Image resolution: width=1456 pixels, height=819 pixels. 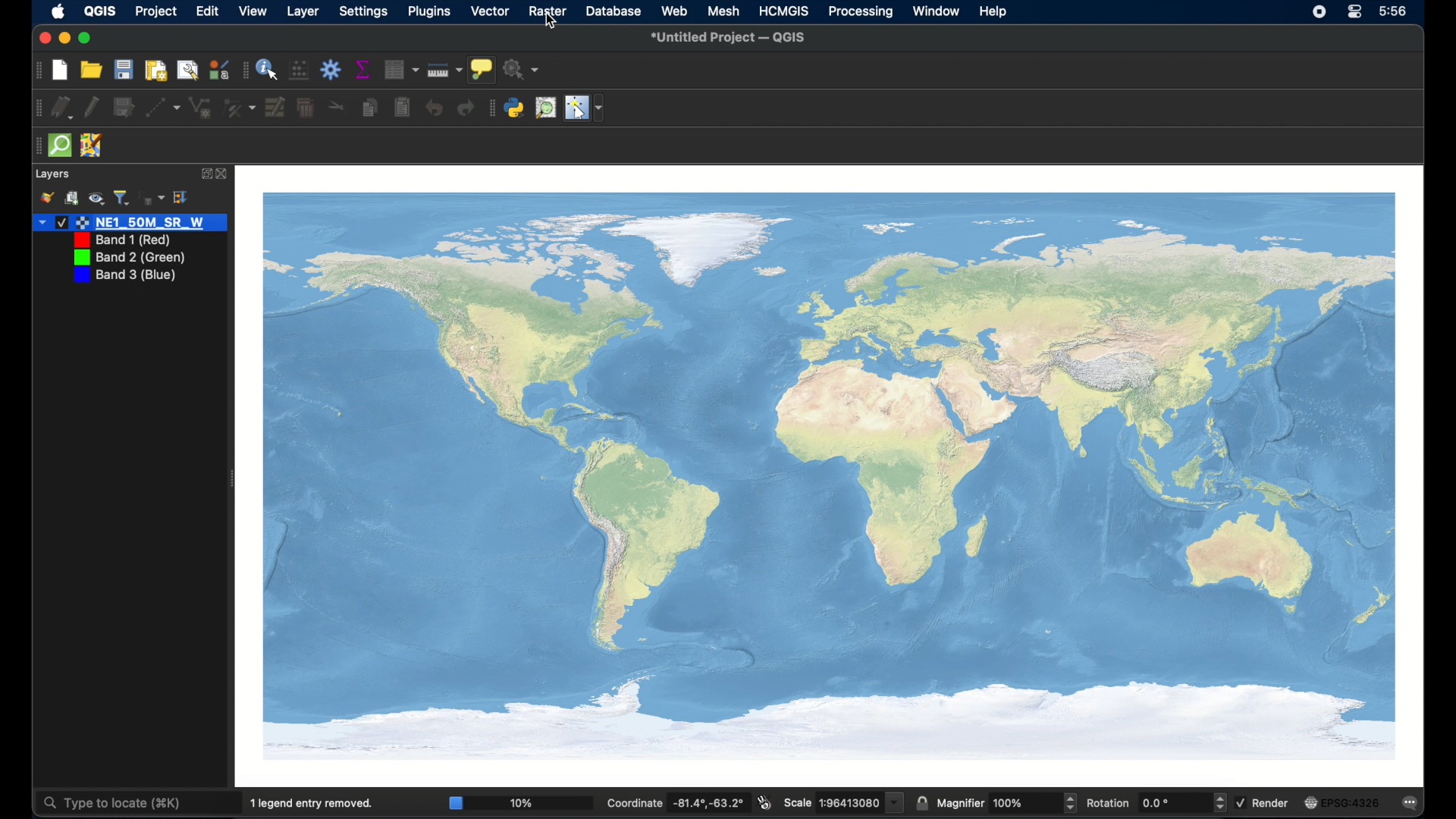 What do you see at coordinates (72, 197) in the screenshot?
I see `add group` at bounding box center [72, 197].